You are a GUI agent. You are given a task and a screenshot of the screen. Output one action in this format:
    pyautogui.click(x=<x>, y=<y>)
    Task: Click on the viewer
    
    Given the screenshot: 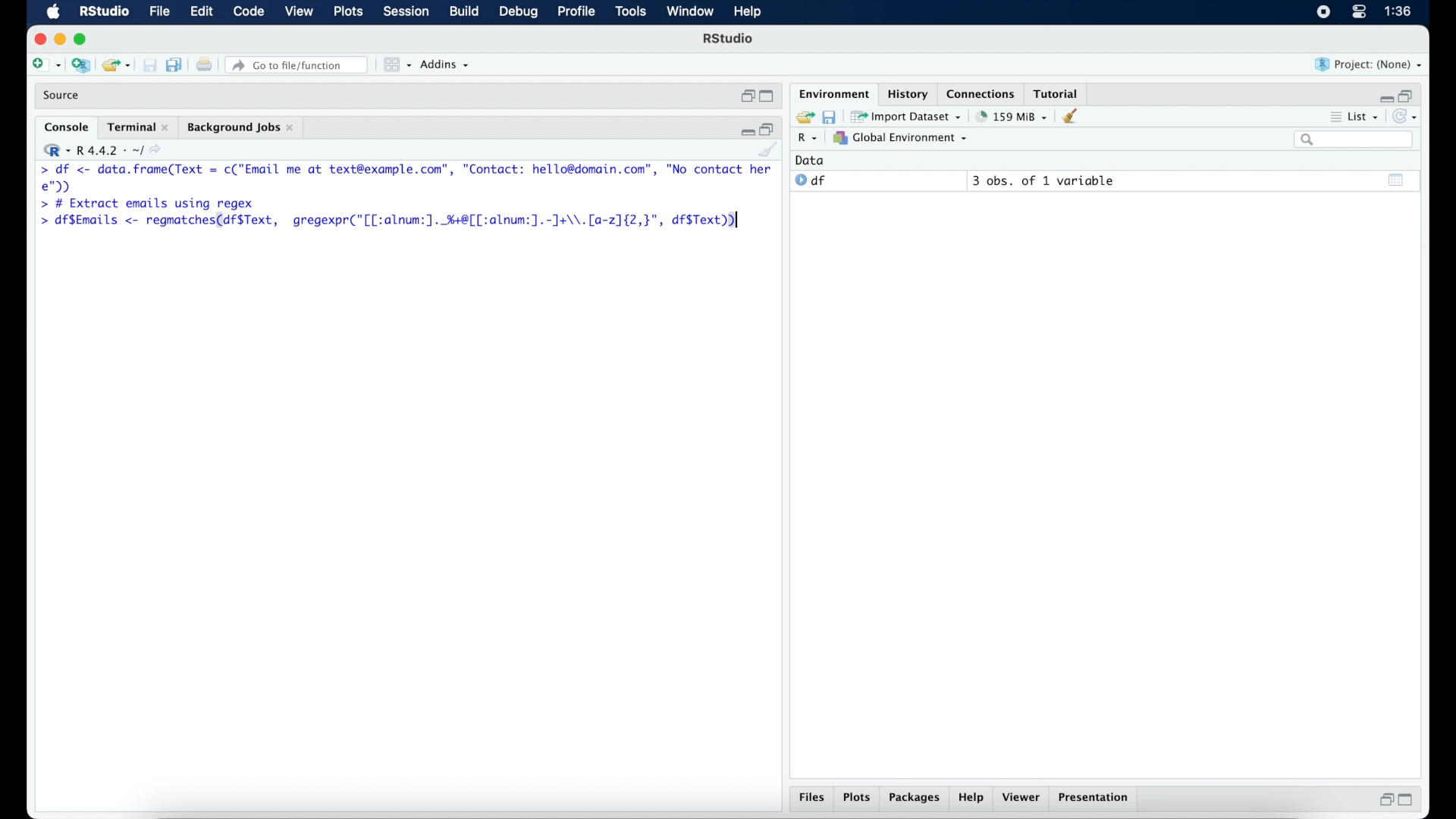 What is the action you would take?
    pyautogui.click(x=1023, y=798)
    